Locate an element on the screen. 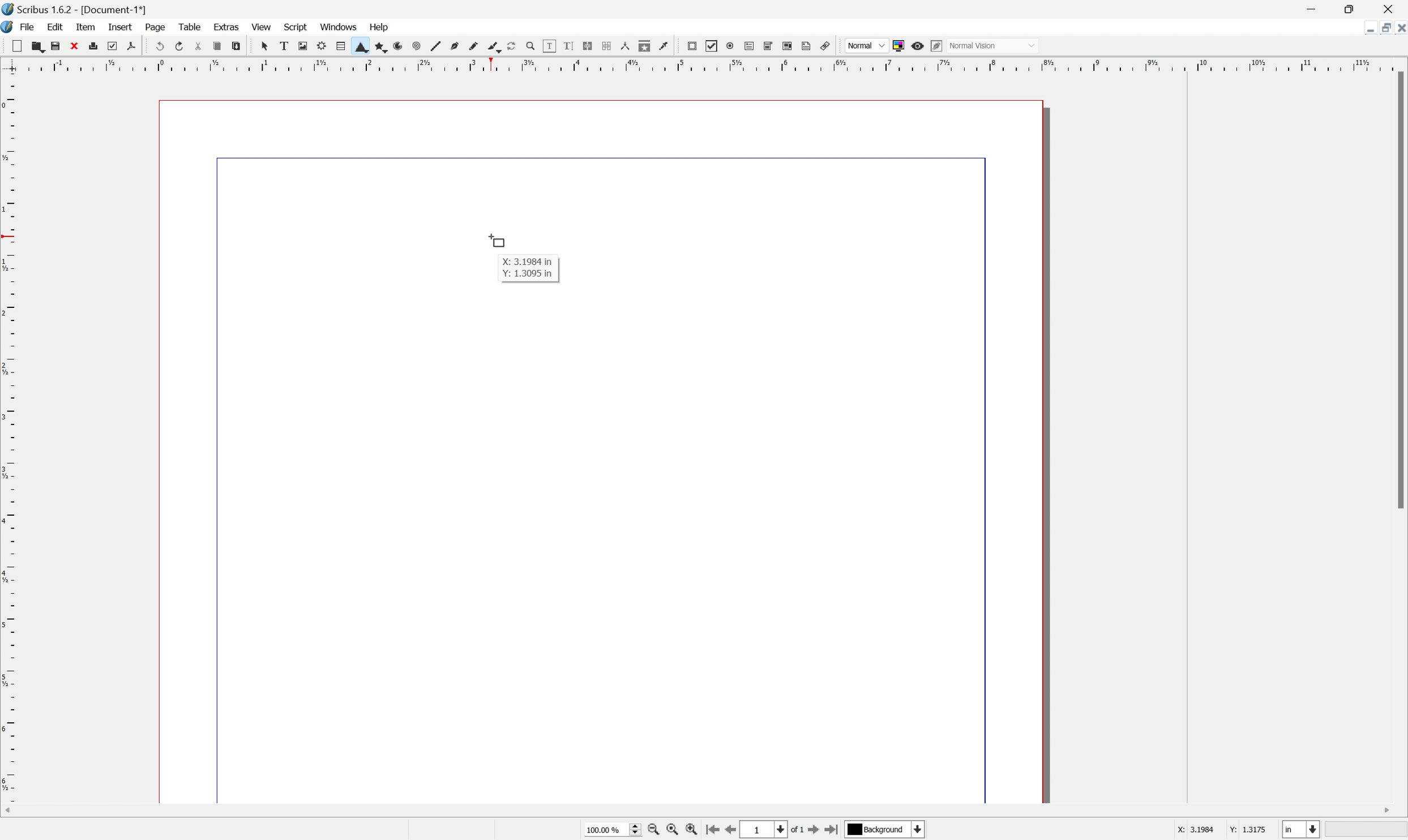 The image size is (1408, 840). Extras is located at coordinates (226, 26).